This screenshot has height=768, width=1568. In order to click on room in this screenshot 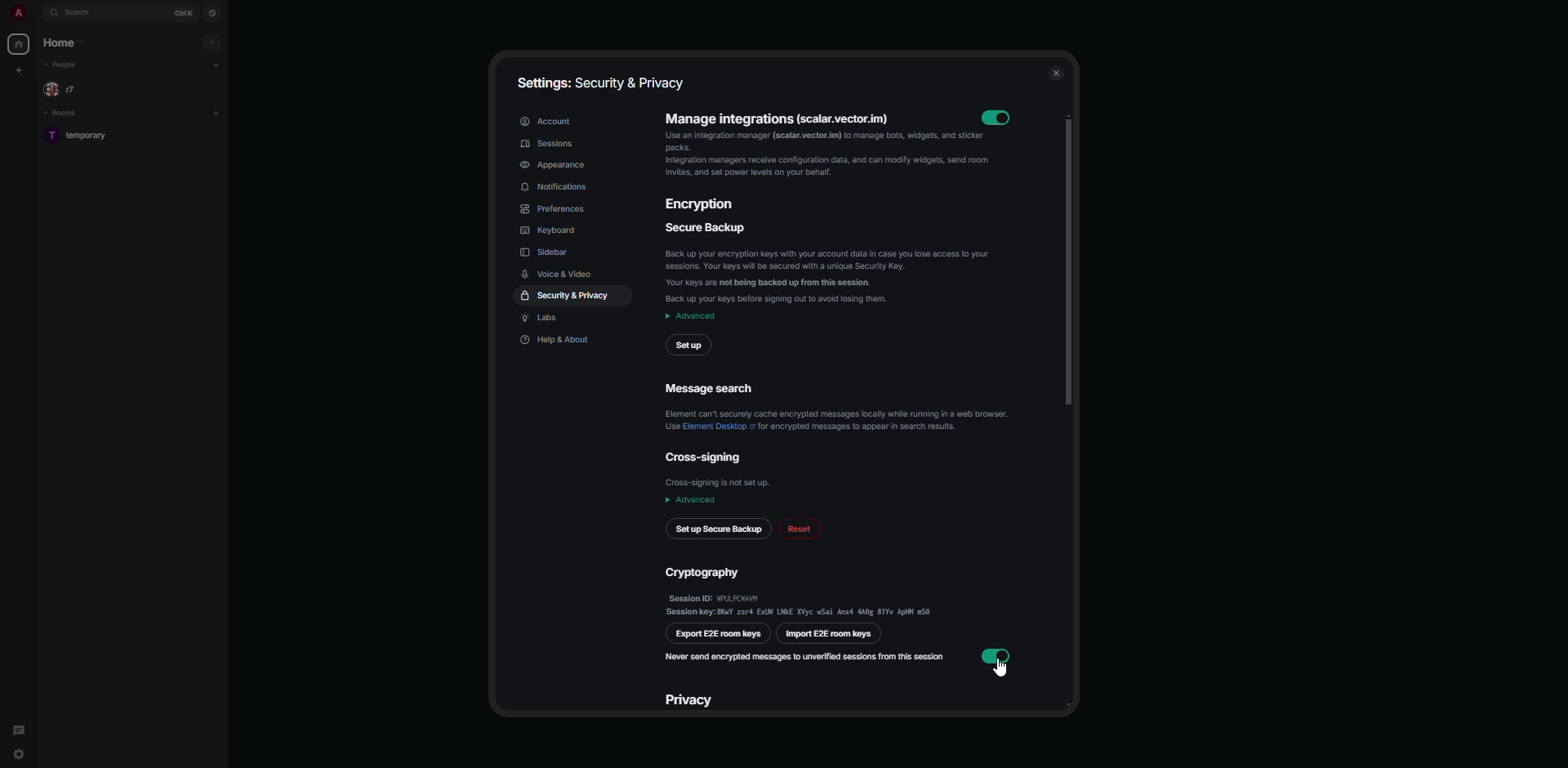, I will do `click(84, 136)`.